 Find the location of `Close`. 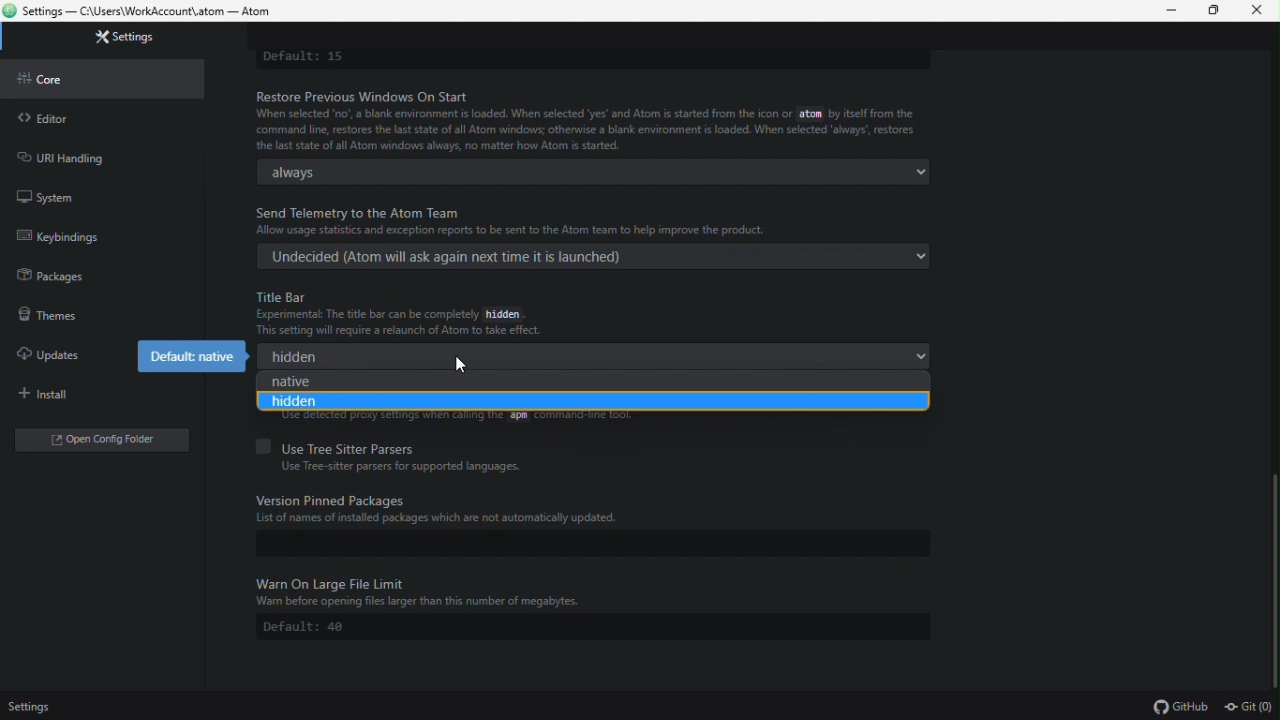

Close is located at coordinates (1257, 13).